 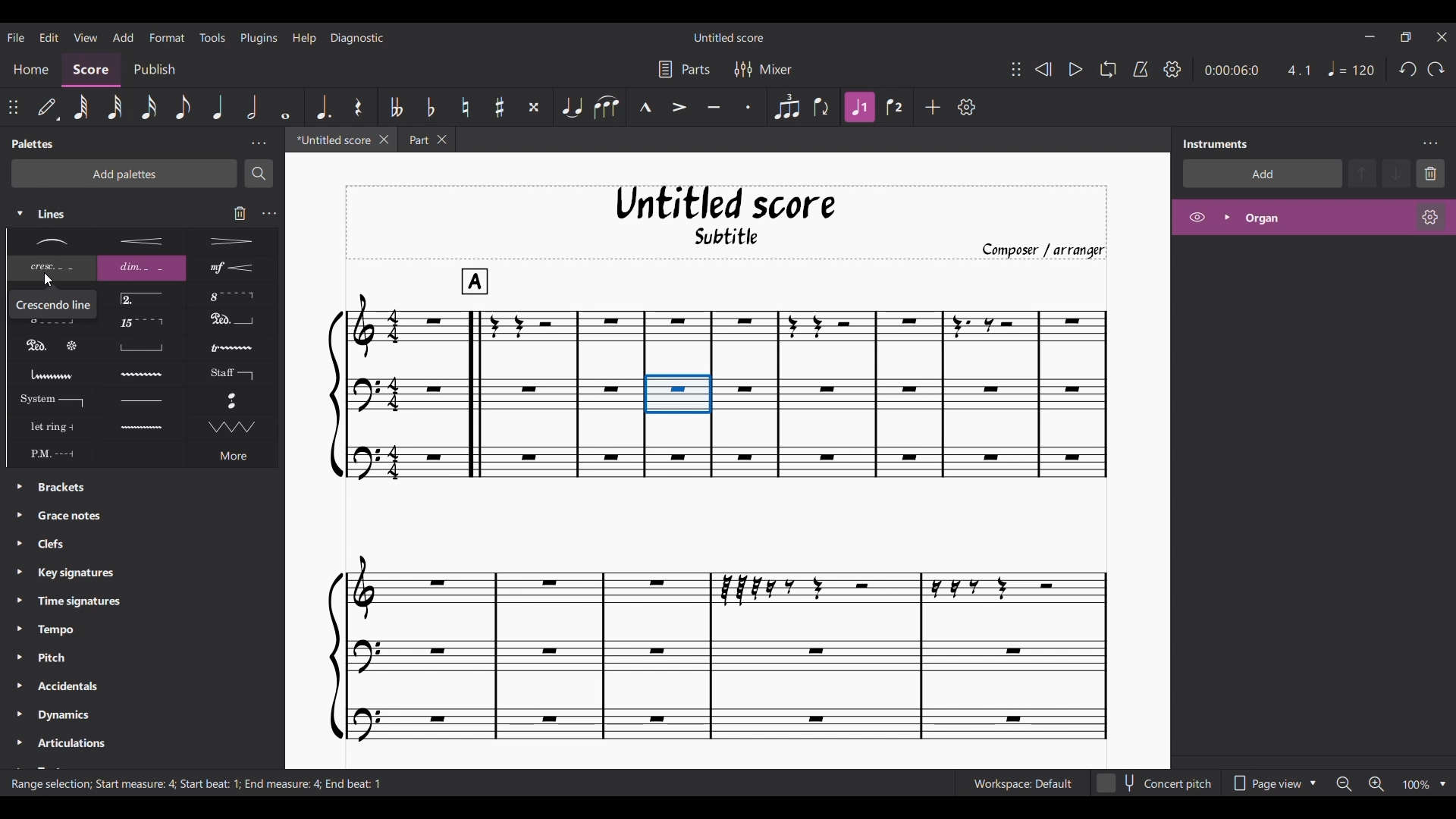 I want to click on Accent, so click(x=679, y=108).